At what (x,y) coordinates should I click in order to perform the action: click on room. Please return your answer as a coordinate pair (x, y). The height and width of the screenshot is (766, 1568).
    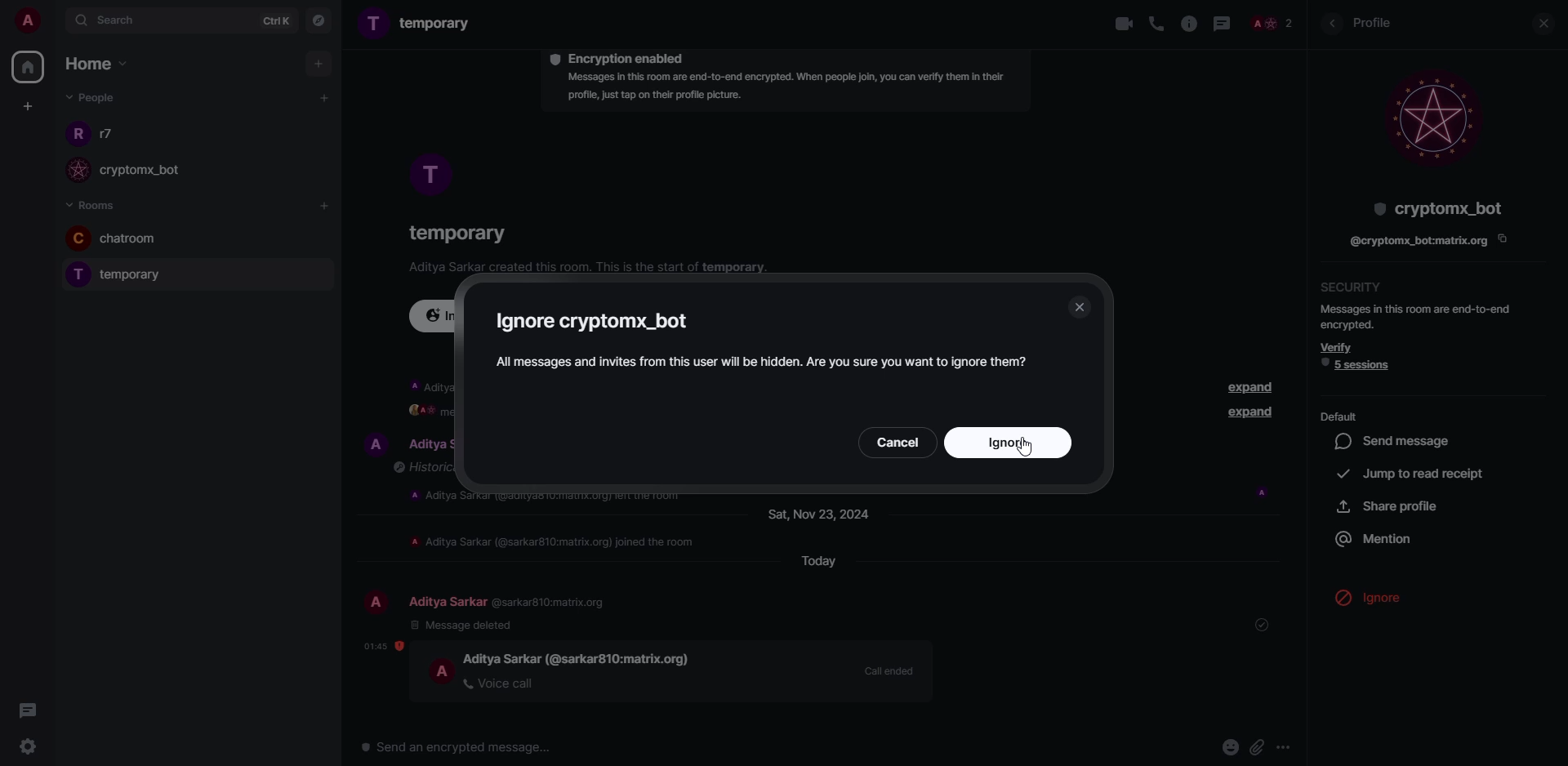
    Looking at the image, I should click on (147, 278).